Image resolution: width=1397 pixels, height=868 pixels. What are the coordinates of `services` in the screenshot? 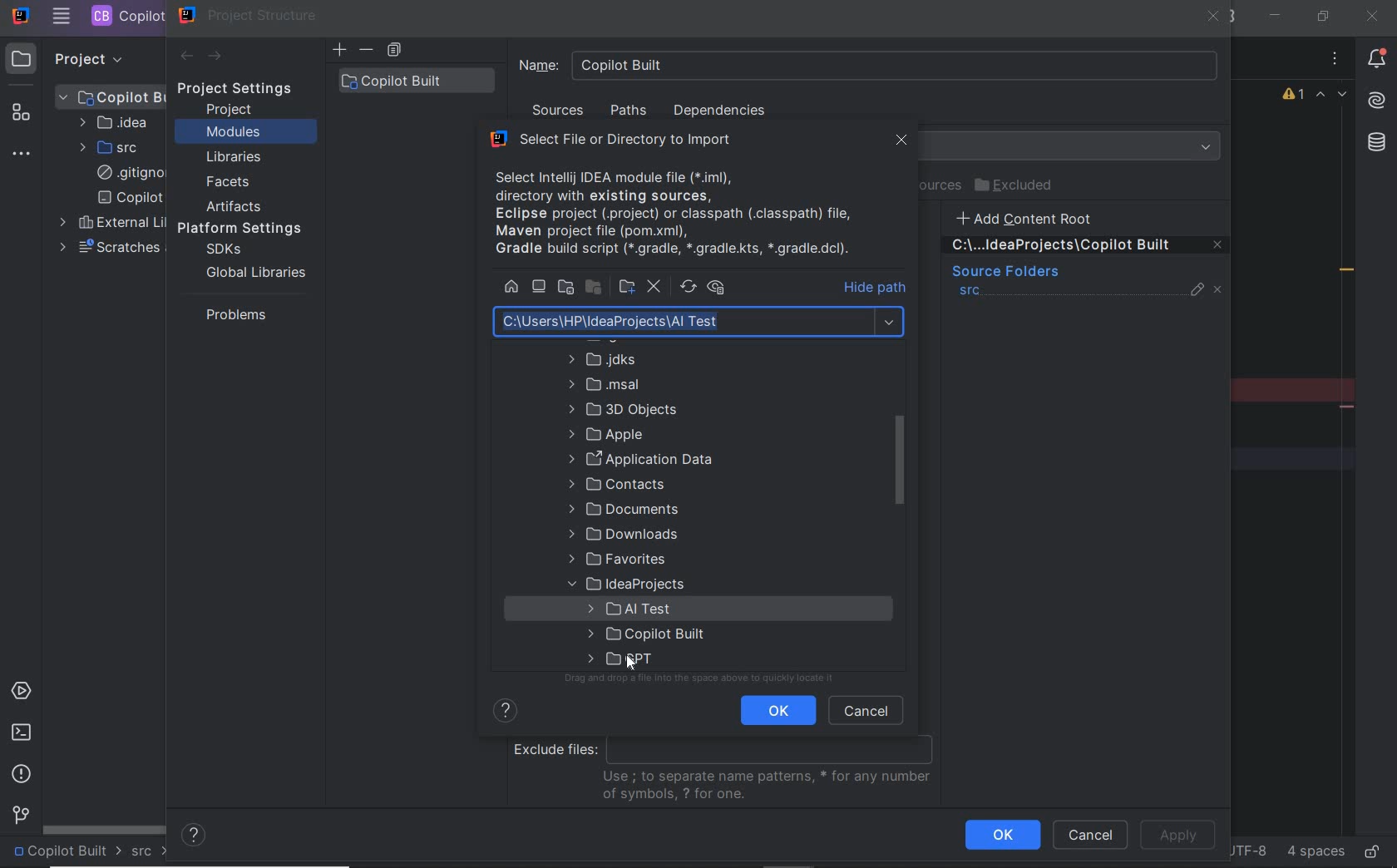 It's located at (23, 693).